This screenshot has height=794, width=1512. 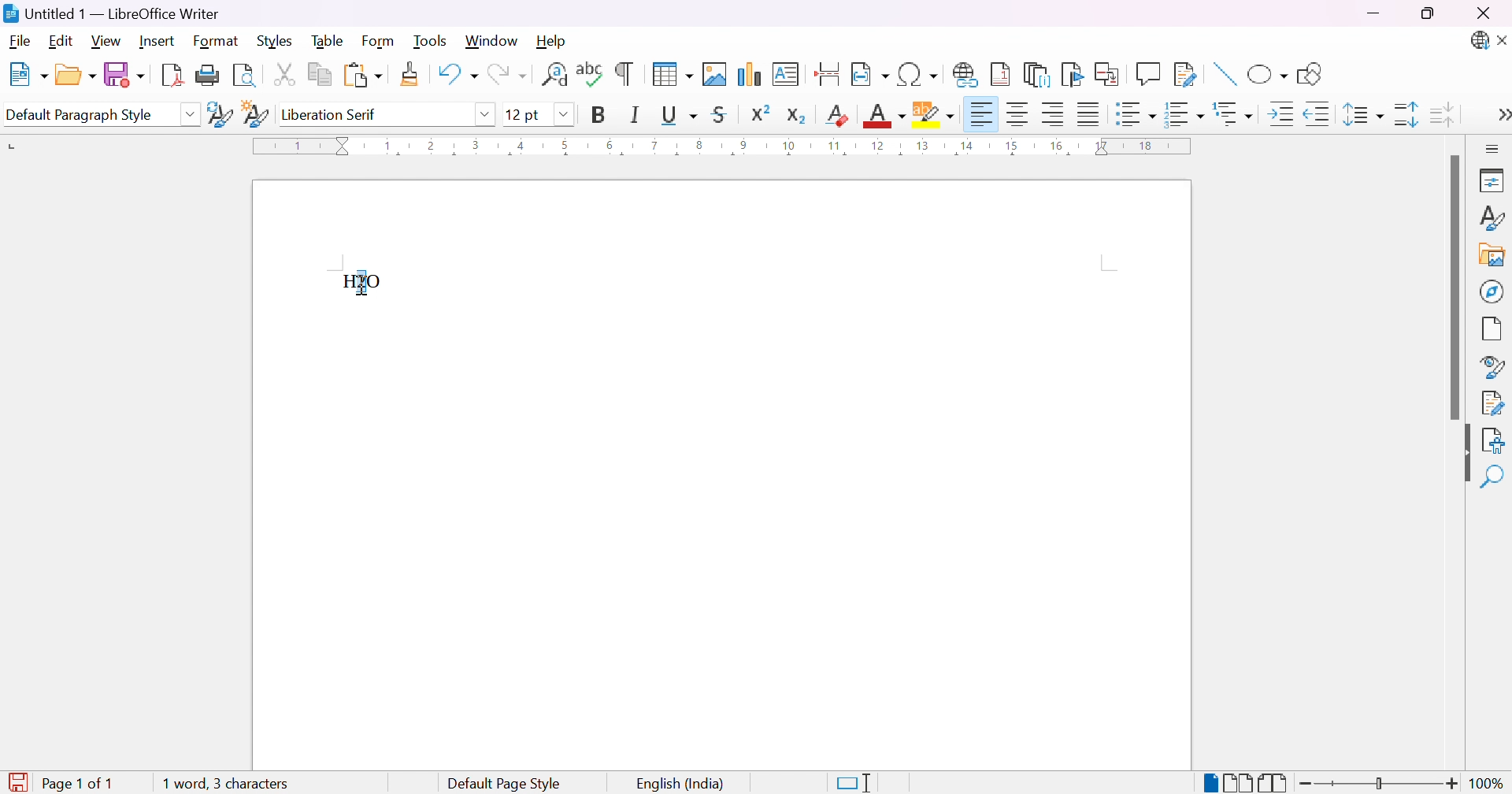 I want to click on Update selected style, so click(x=220, y=114).